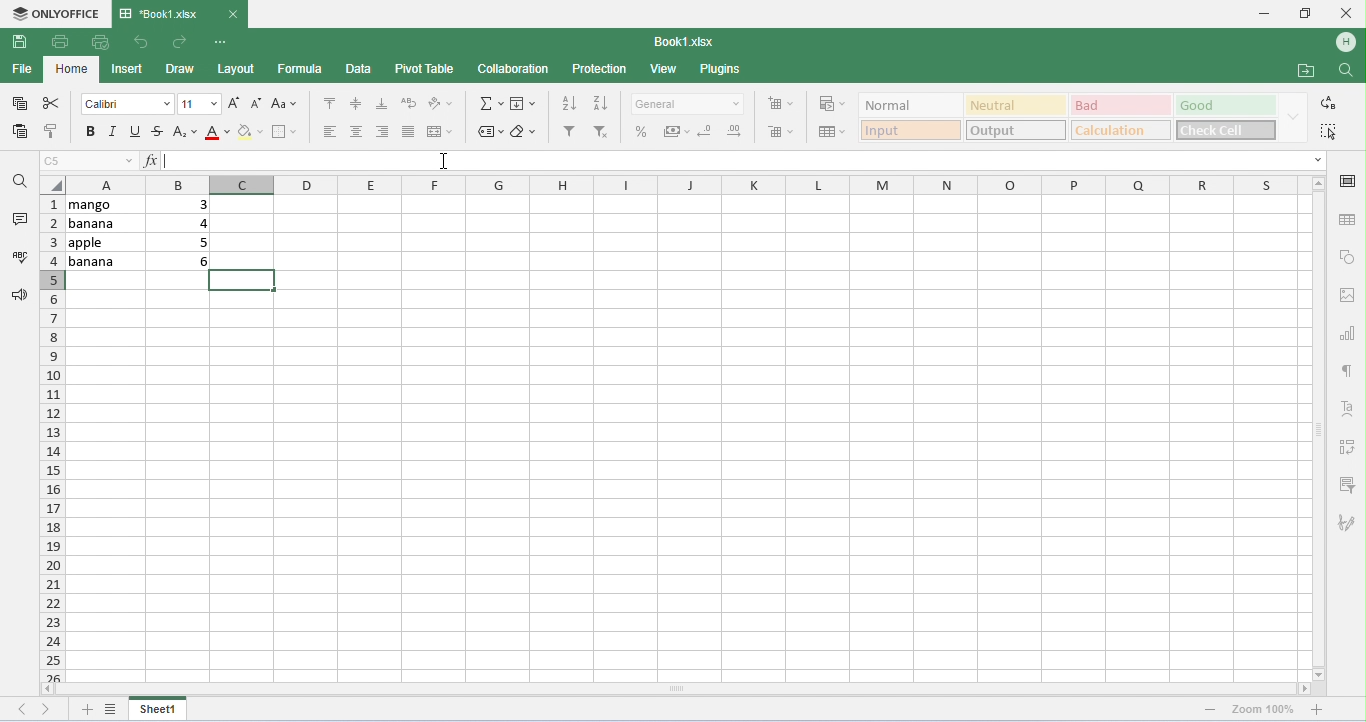  I want to click on copy style, so click(53, 129).